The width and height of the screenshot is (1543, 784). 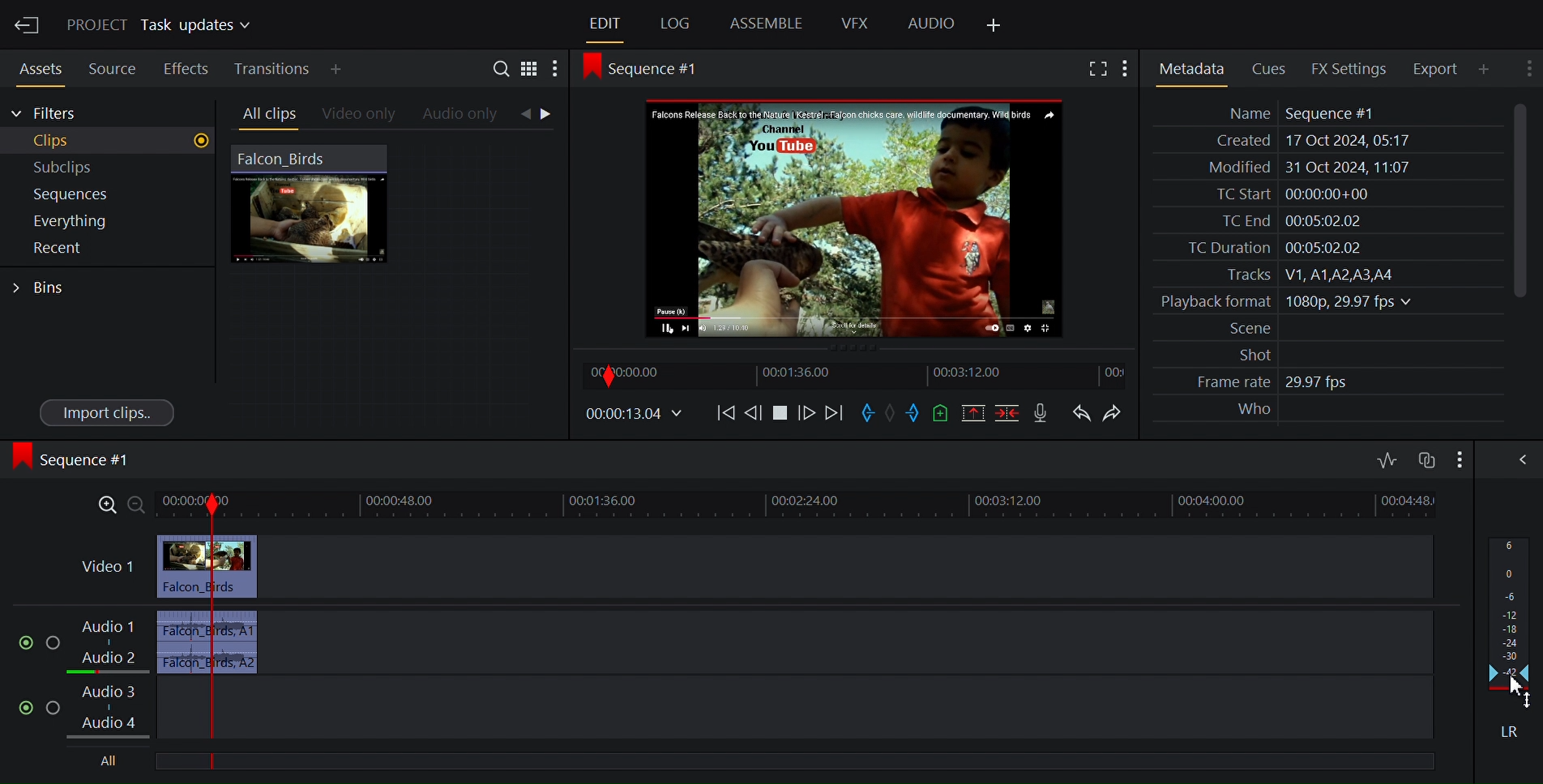 I want to click on Videos only, so click(x=358, y=114).